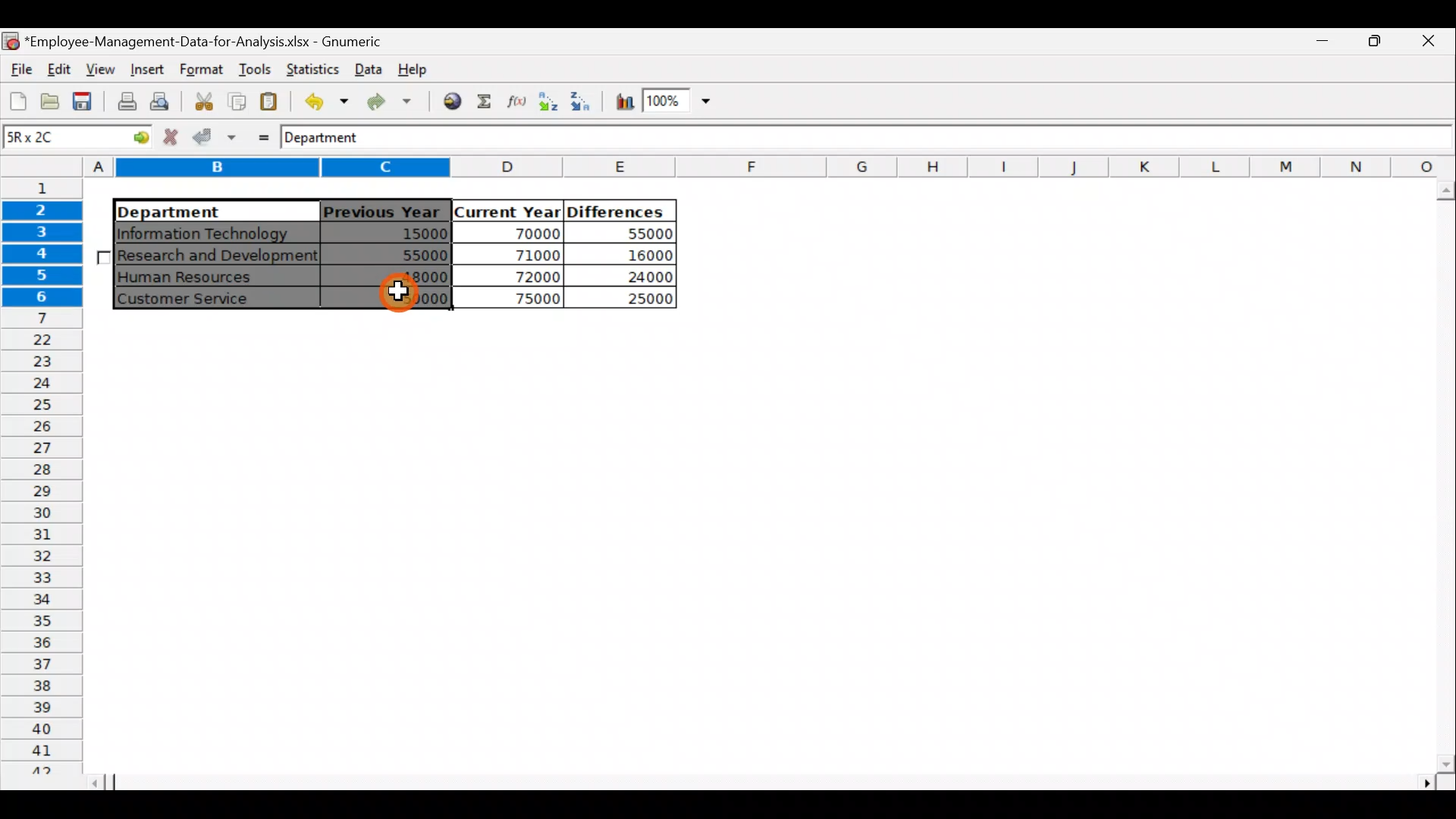  I want to click on 25000, so click(632, 300).